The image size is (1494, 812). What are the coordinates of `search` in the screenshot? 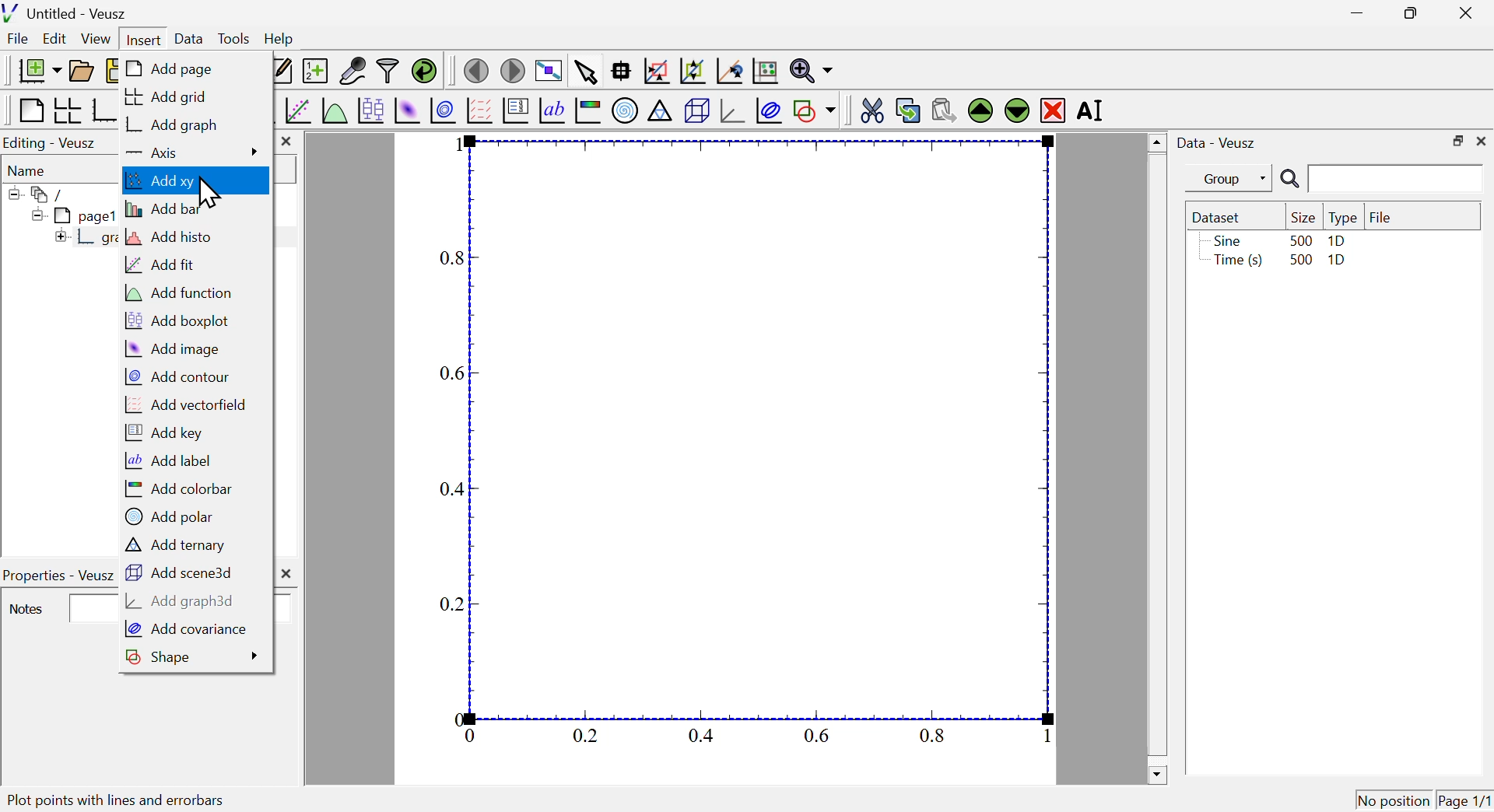 It's located at (1378, 180).